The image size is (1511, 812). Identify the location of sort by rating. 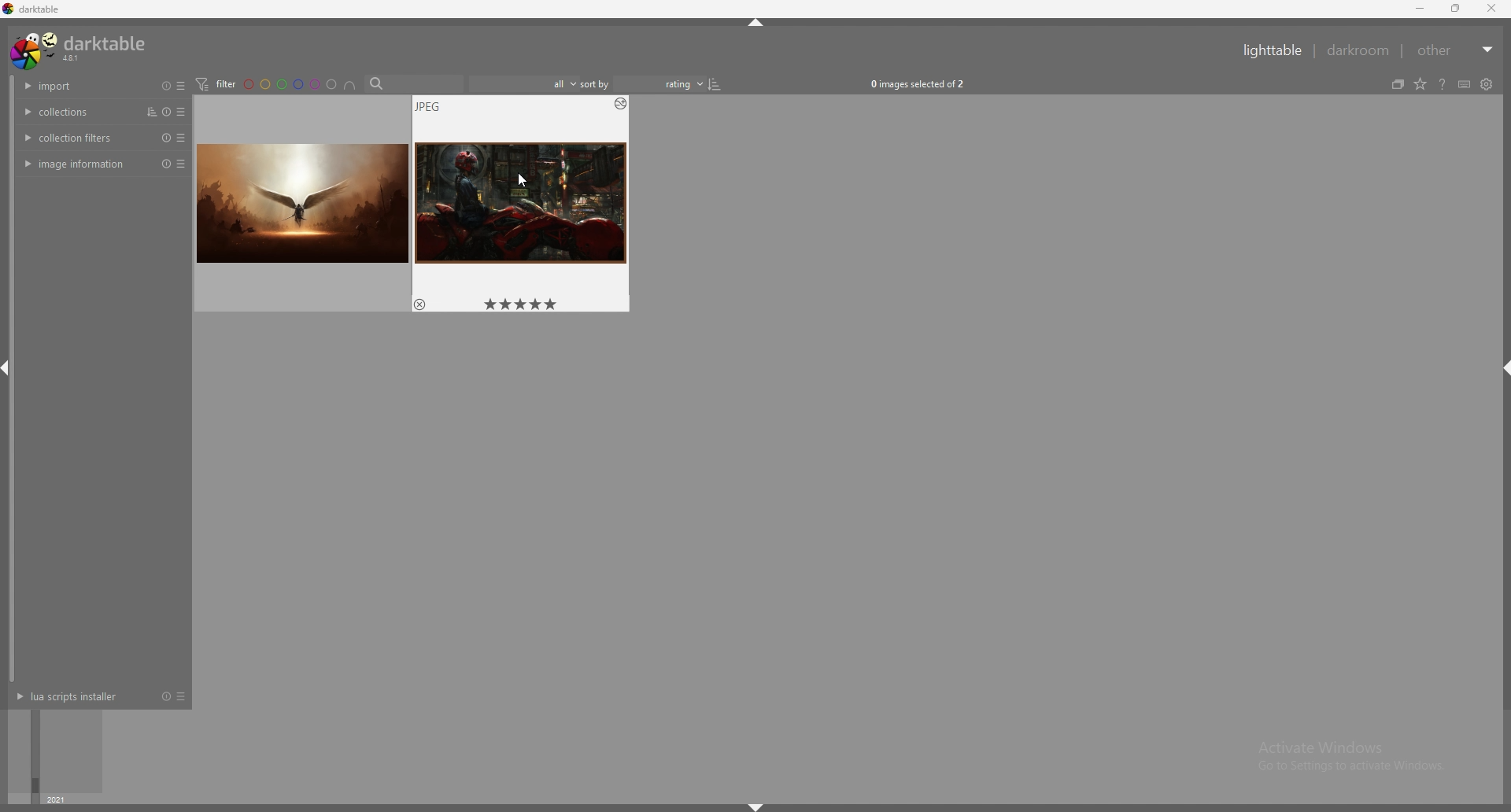
(669, 84).